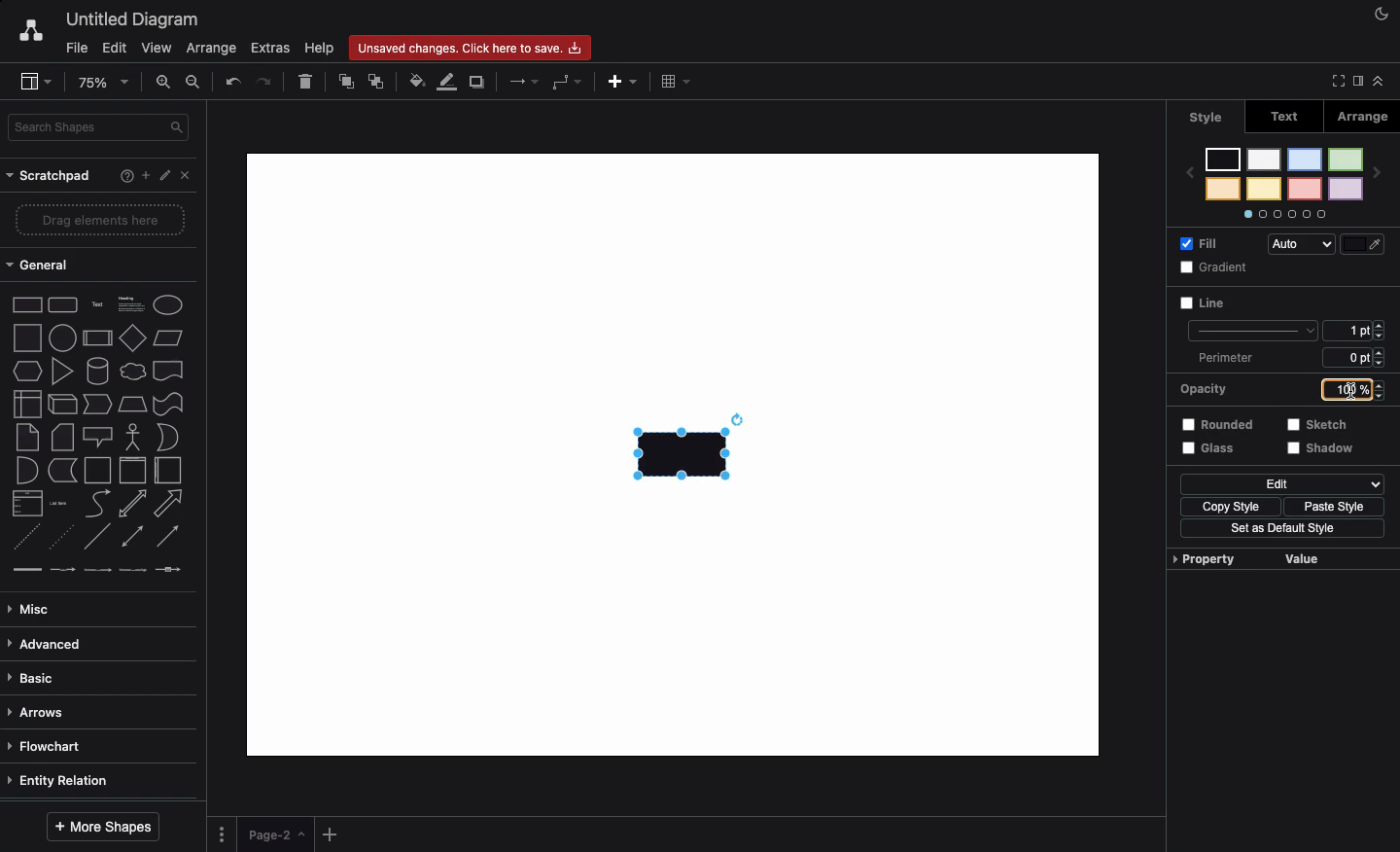 This screenshot has width=1400, height=852. Describe the element at coordinates (54, 644) in the screenshot. I see `Advanced` at that location.